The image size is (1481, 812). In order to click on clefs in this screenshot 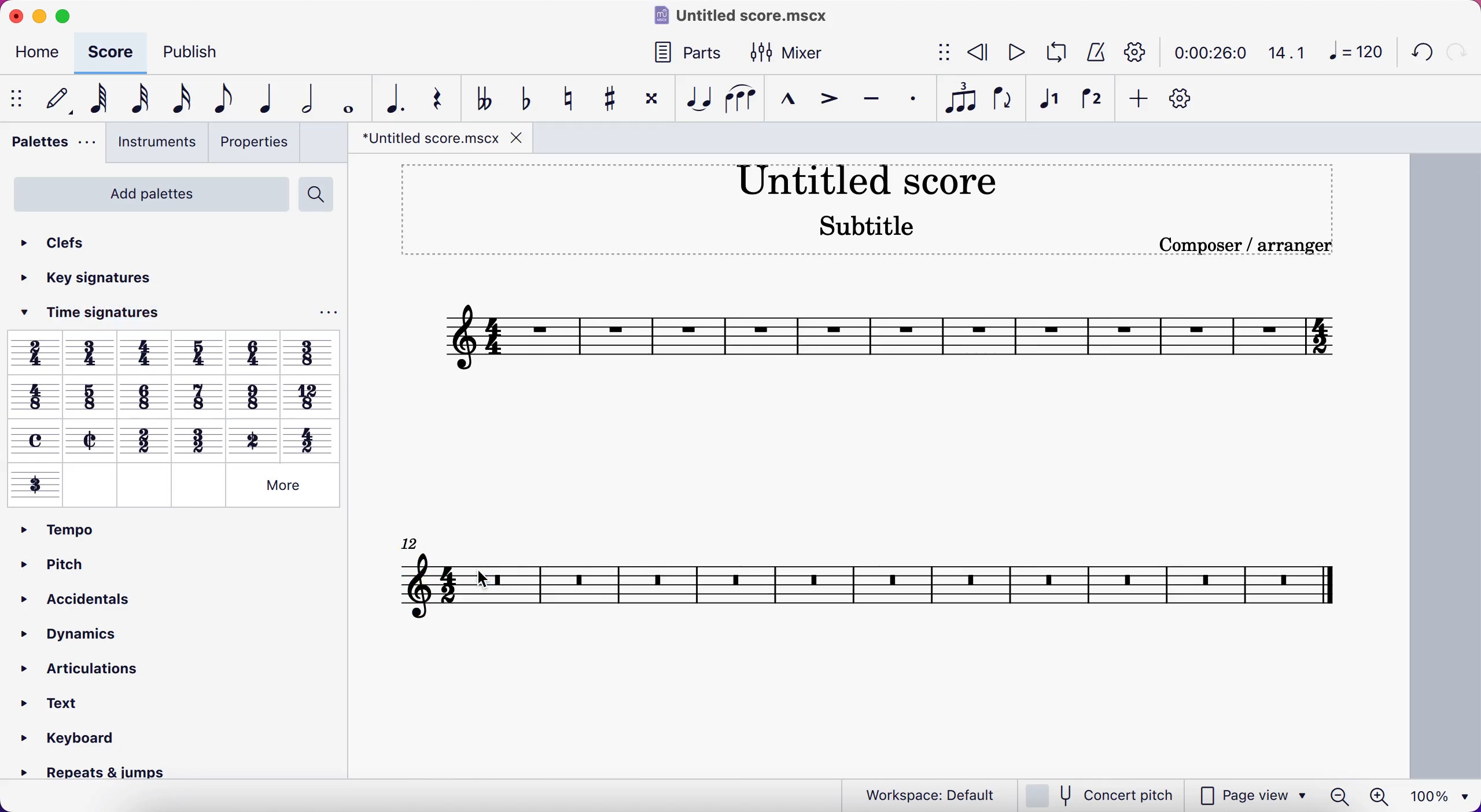, I will do `click(62, 239)`.